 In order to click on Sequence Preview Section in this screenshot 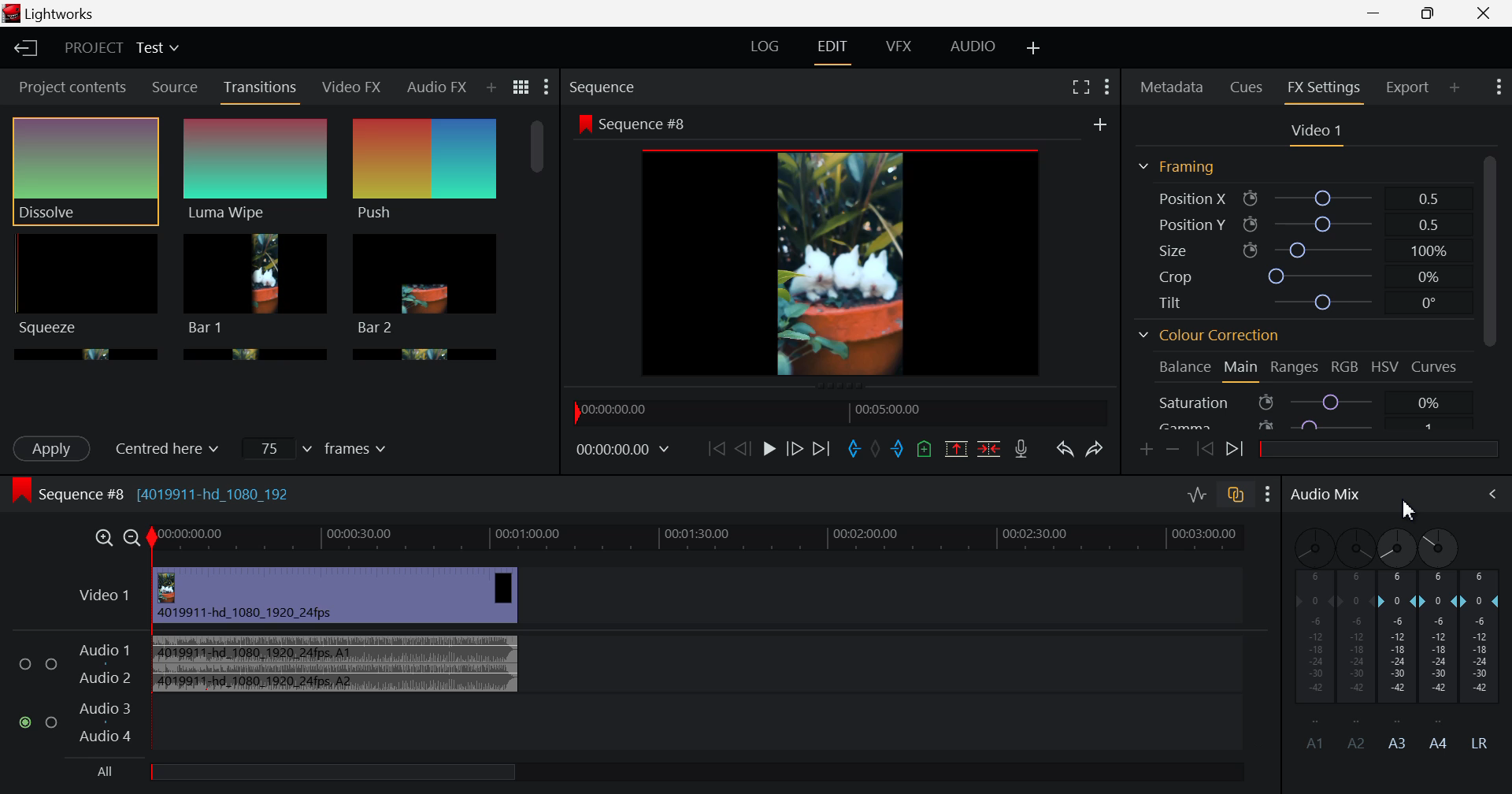, I will do `click(606, 87)`.